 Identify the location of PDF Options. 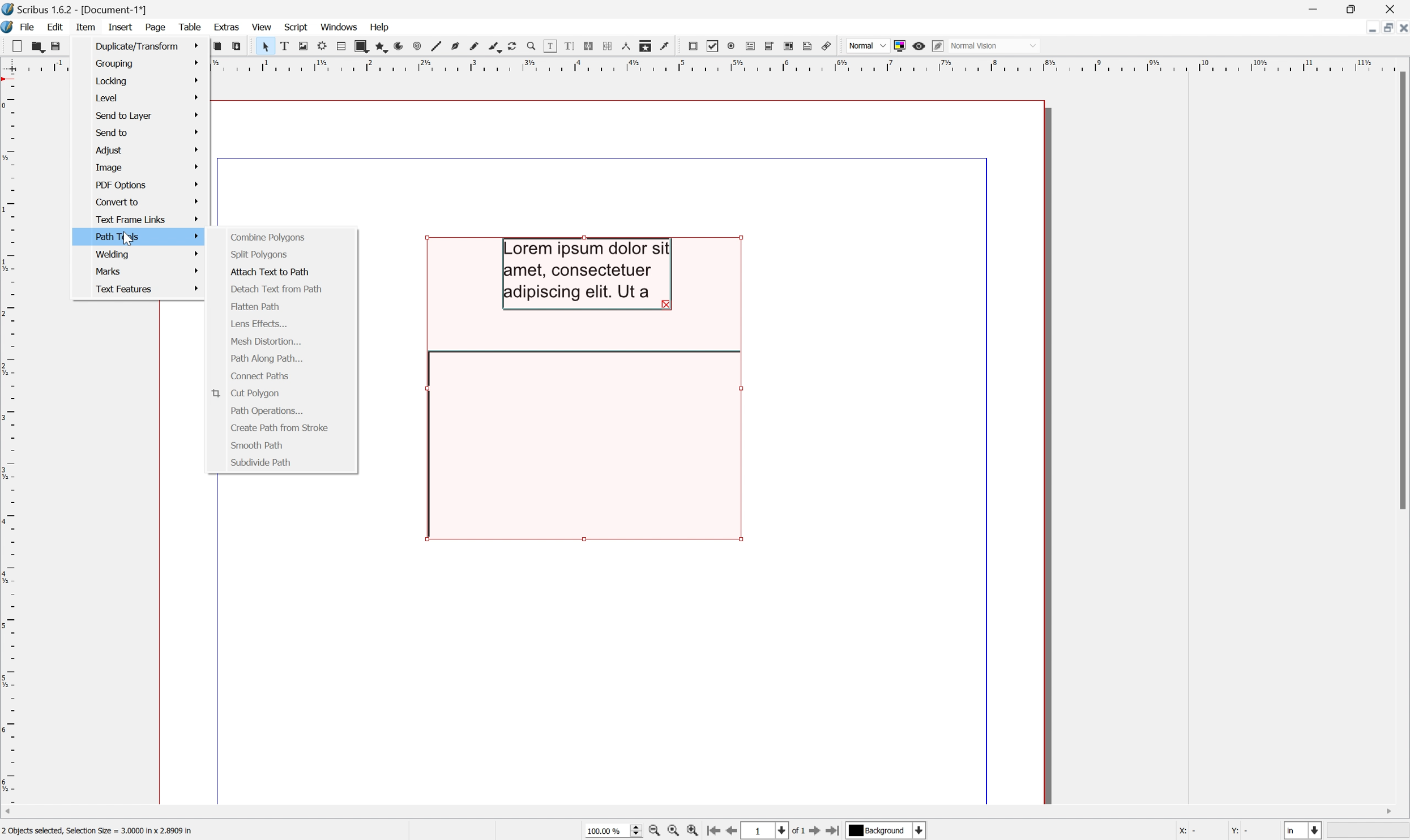
(145, 185).